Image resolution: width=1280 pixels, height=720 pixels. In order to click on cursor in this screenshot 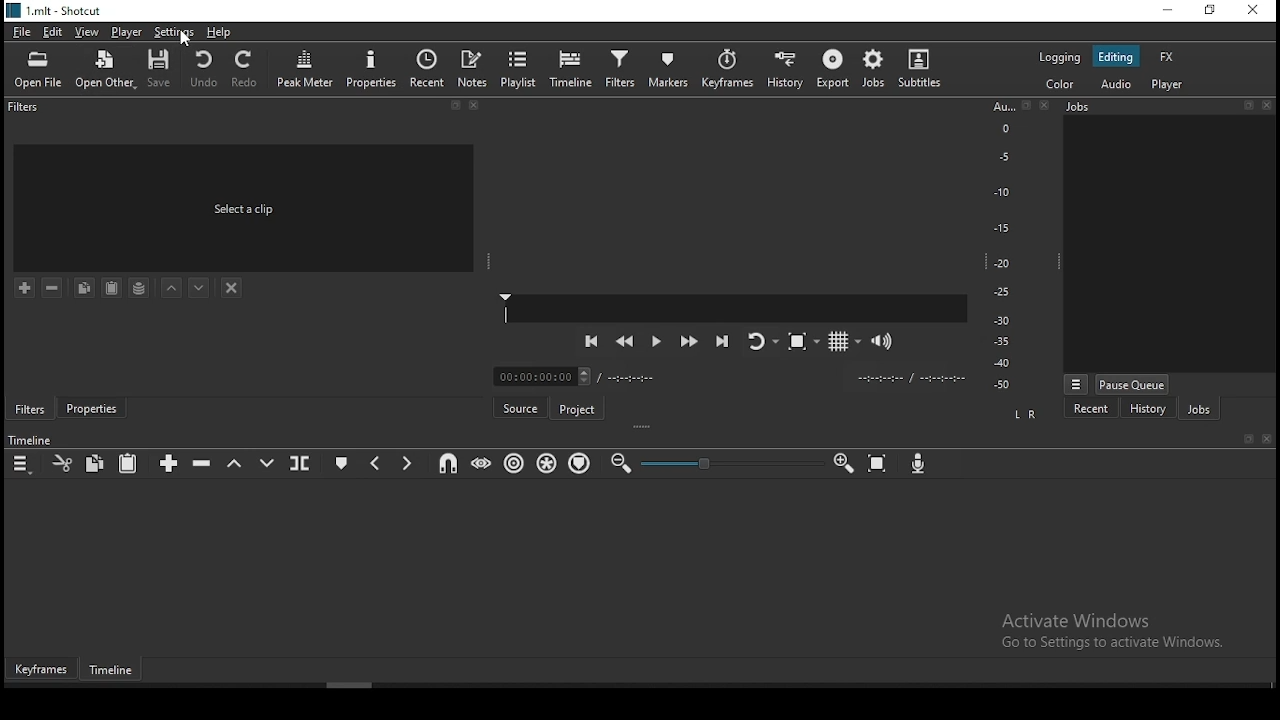, I will do `click(188, 41)`.